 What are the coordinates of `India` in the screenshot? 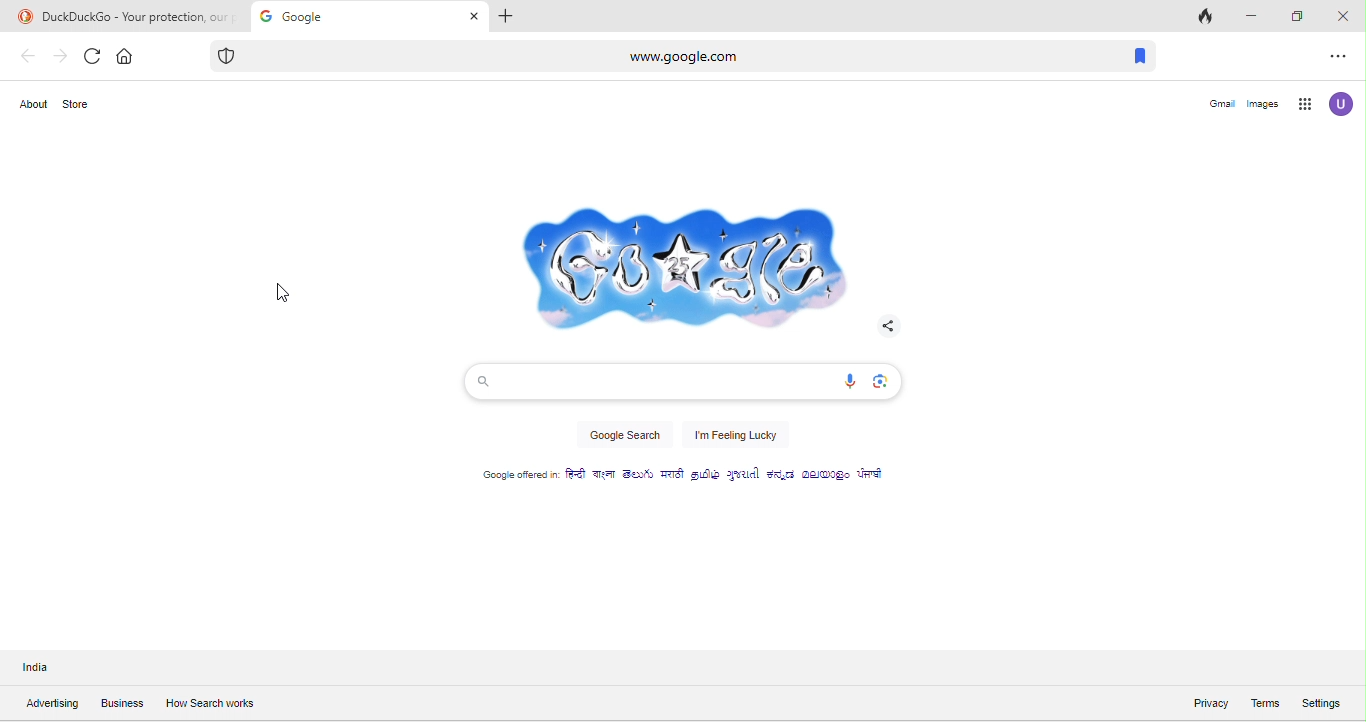 It's located at (43, 668).